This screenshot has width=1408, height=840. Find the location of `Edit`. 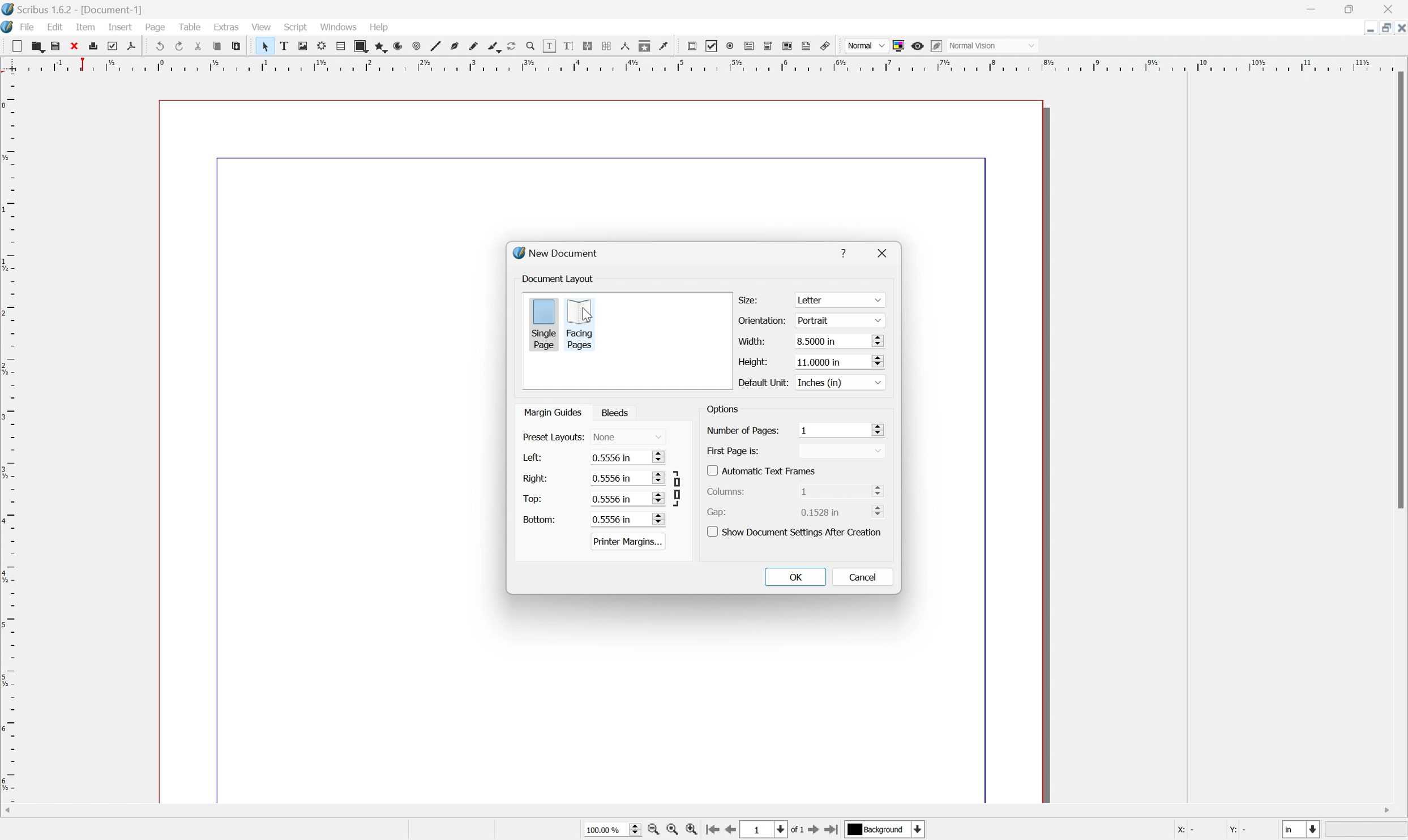

Edit is located at coordinates (55, 28).